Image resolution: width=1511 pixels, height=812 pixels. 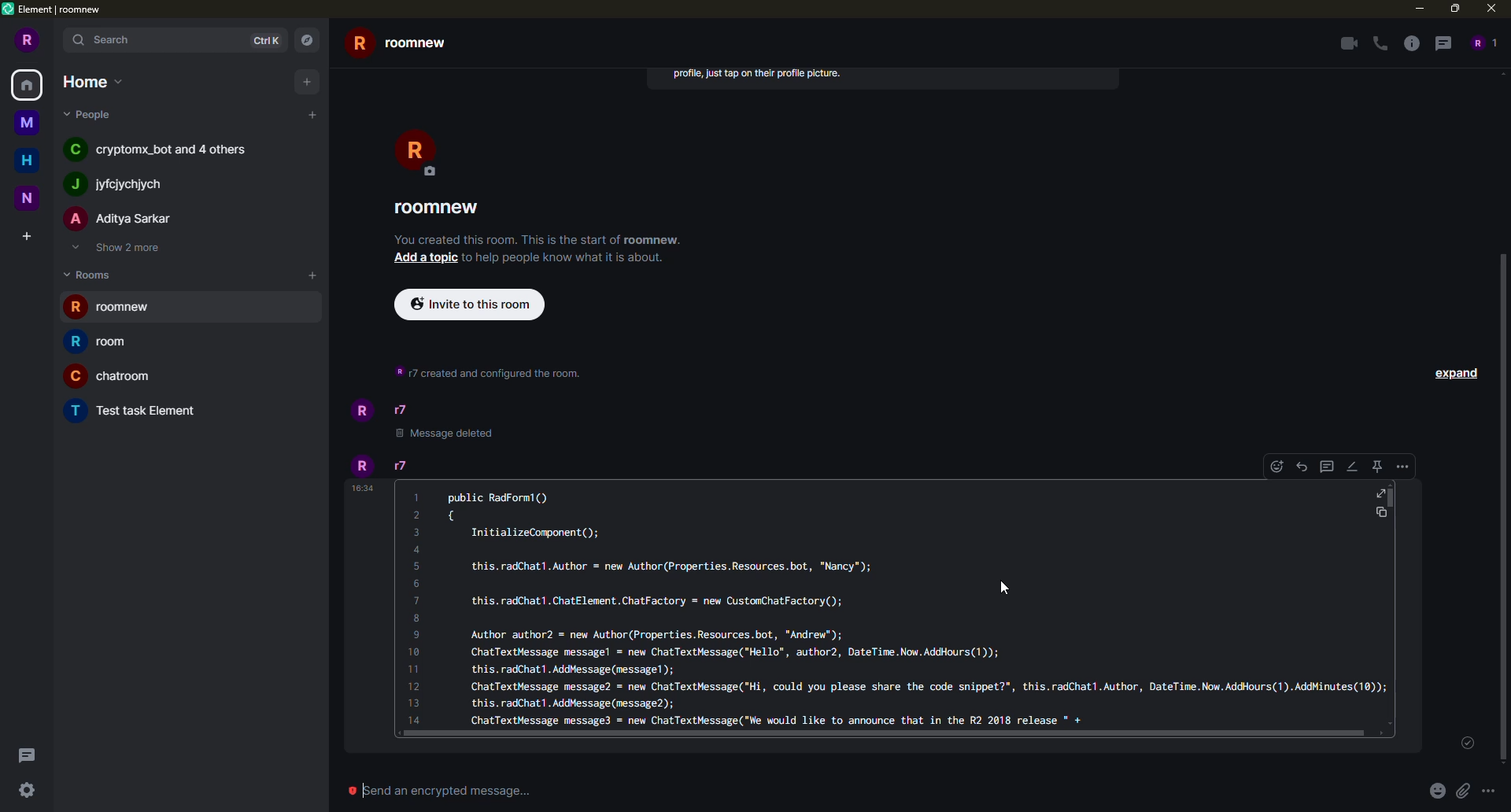 What do you see at coordinates (1483, 42) in the screenshot?
I see `people` at bounding box center [1483, 42].